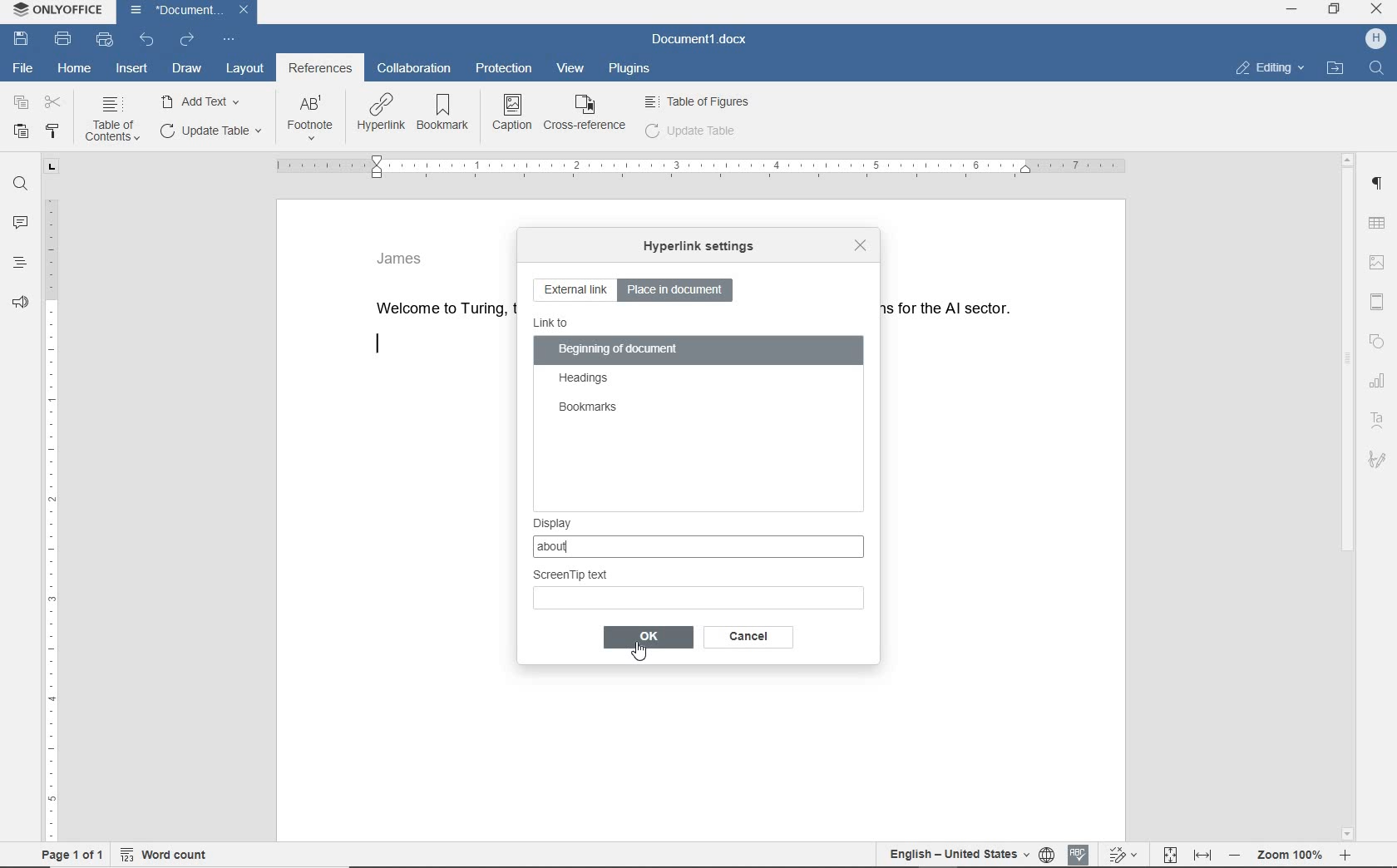 The height and width of the screenshot is (868, 1397). What do you see at coordinates (647, 635) in the screenshot?
I see `ok` at bounding box center [647, 635].